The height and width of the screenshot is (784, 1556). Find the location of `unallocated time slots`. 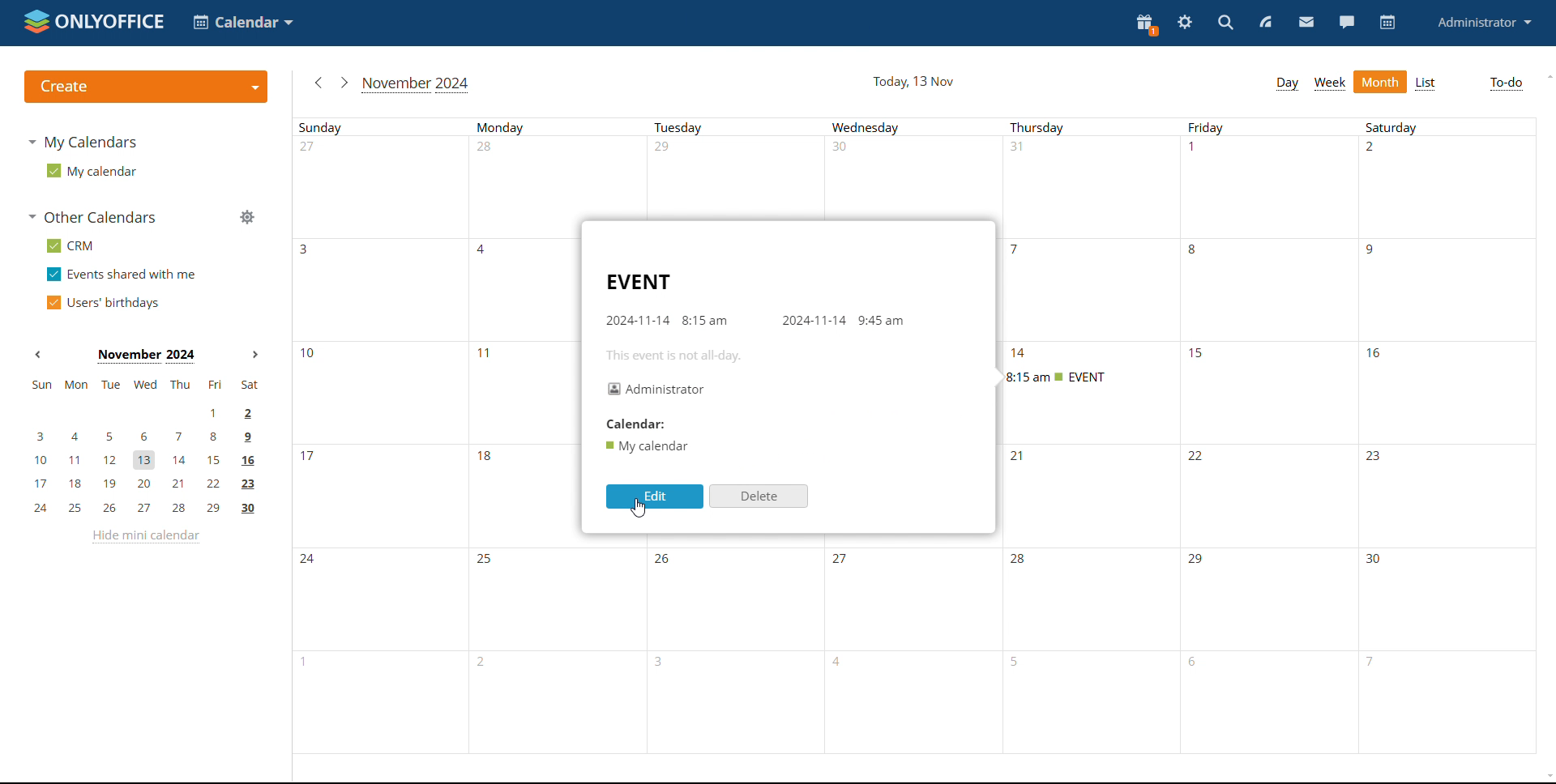

unallocated time slots is located at coordinates (439, 397).